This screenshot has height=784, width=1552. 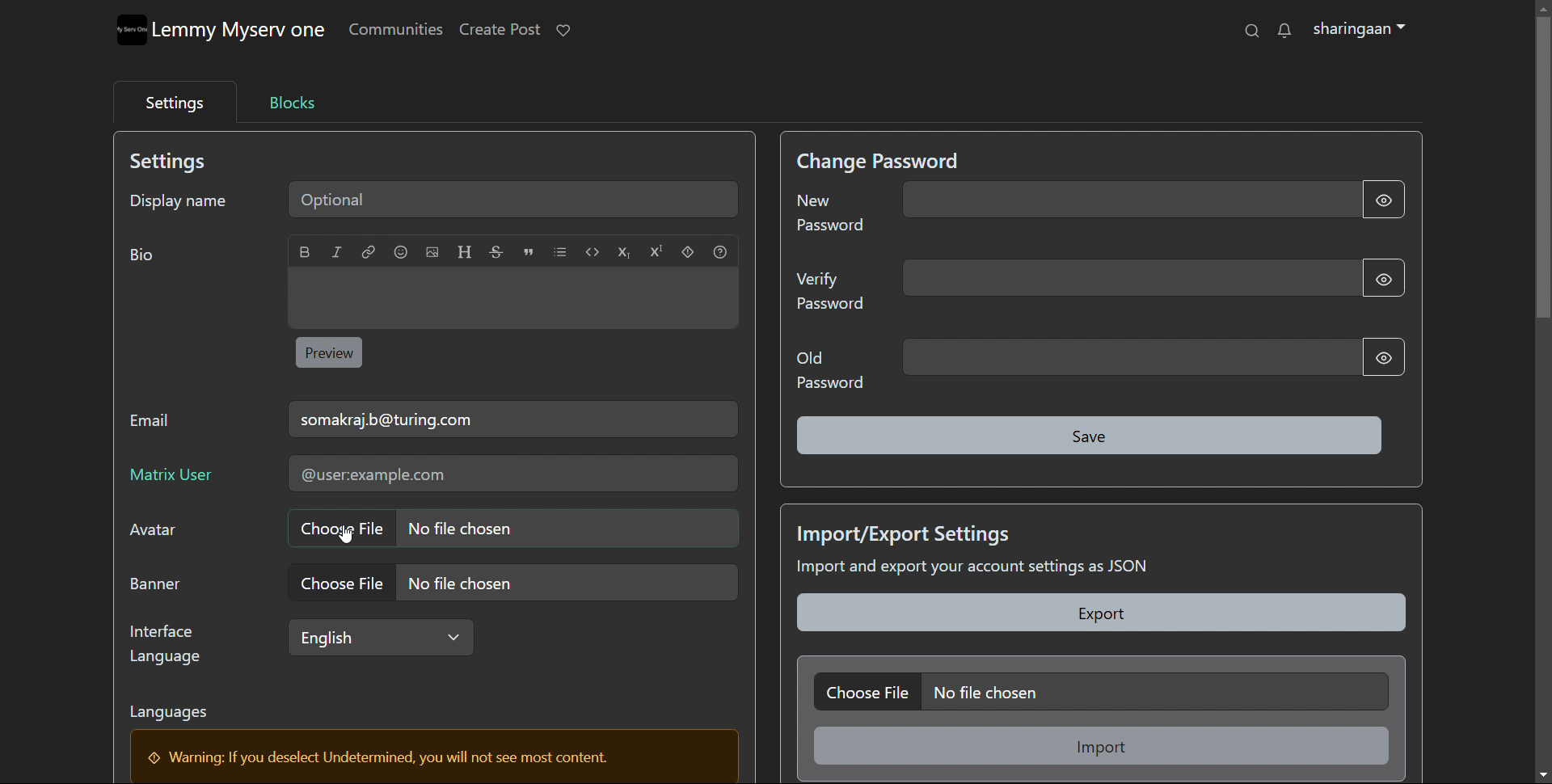 What do you see at coordinates (512, 582) in the screenshot?
I see `choose file for banner` at bounding box center [512, 582].